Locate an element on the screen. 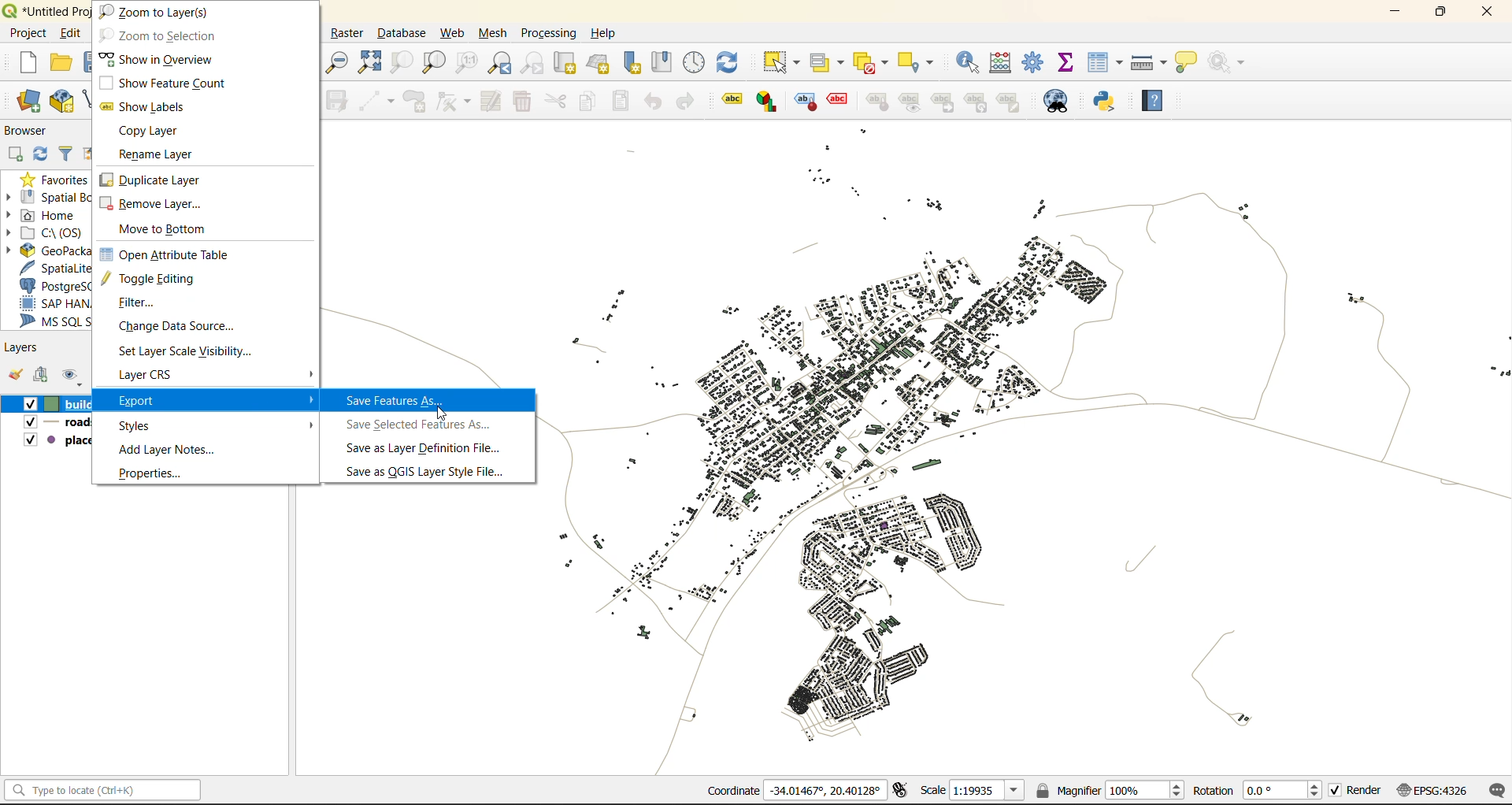 Image resolution: width=1512 pixels, height=805 pixels. crs is located at coordinates (1435, 789).